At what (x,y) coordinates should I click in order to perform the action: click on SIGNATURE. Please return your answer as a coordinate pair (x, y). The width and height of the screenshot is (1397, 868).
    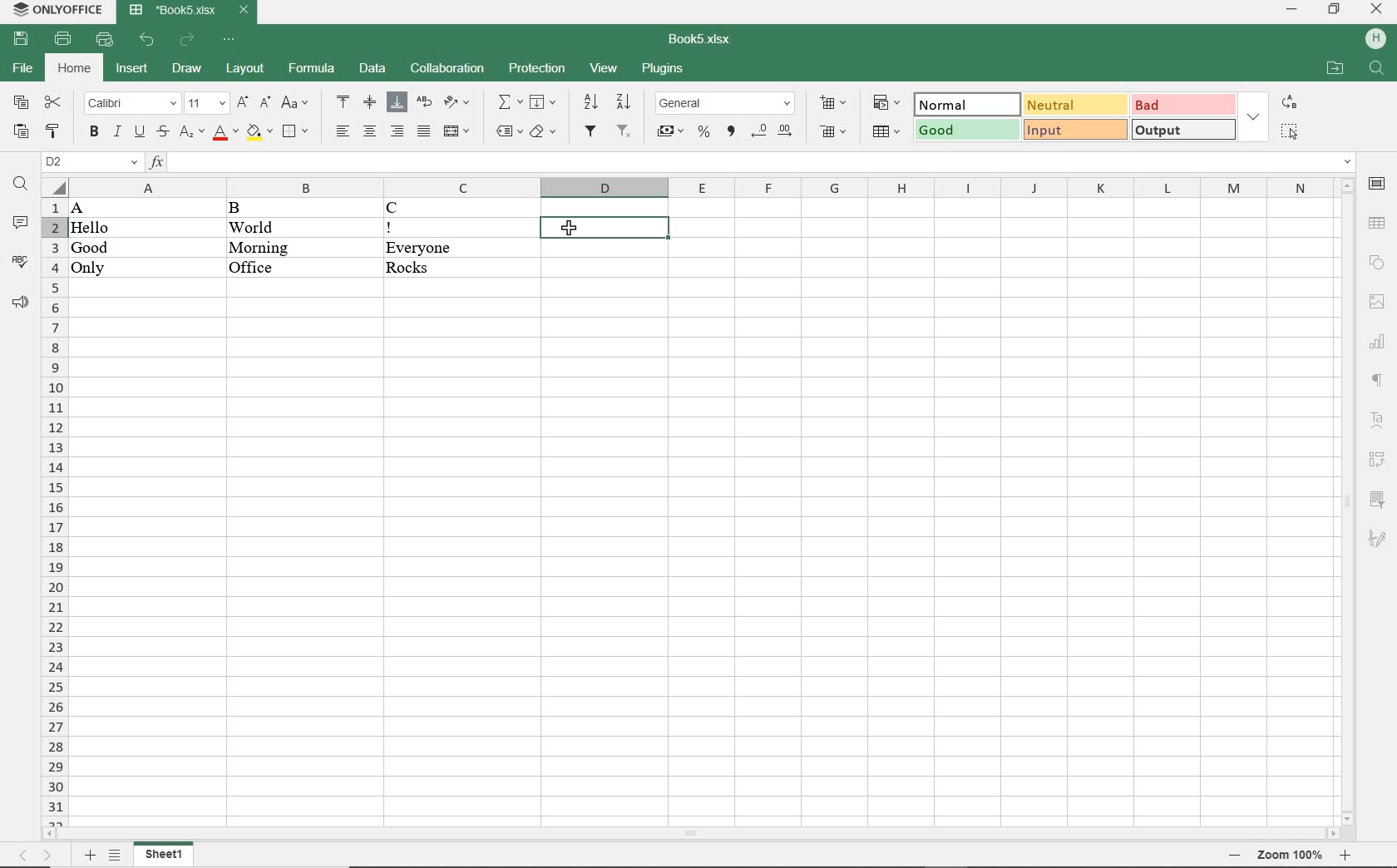
    Looking at the image, I should click on (1380, 540).